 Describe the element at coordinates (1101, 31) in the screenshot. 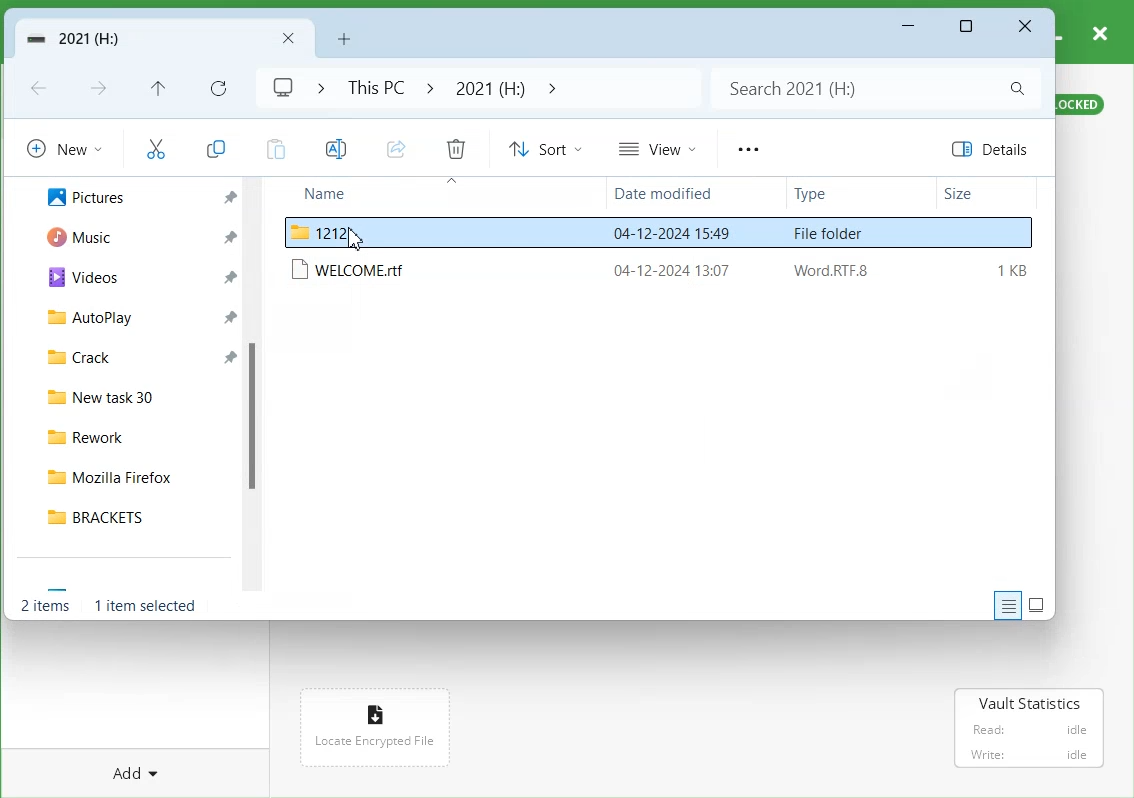

I see `close` at that location.